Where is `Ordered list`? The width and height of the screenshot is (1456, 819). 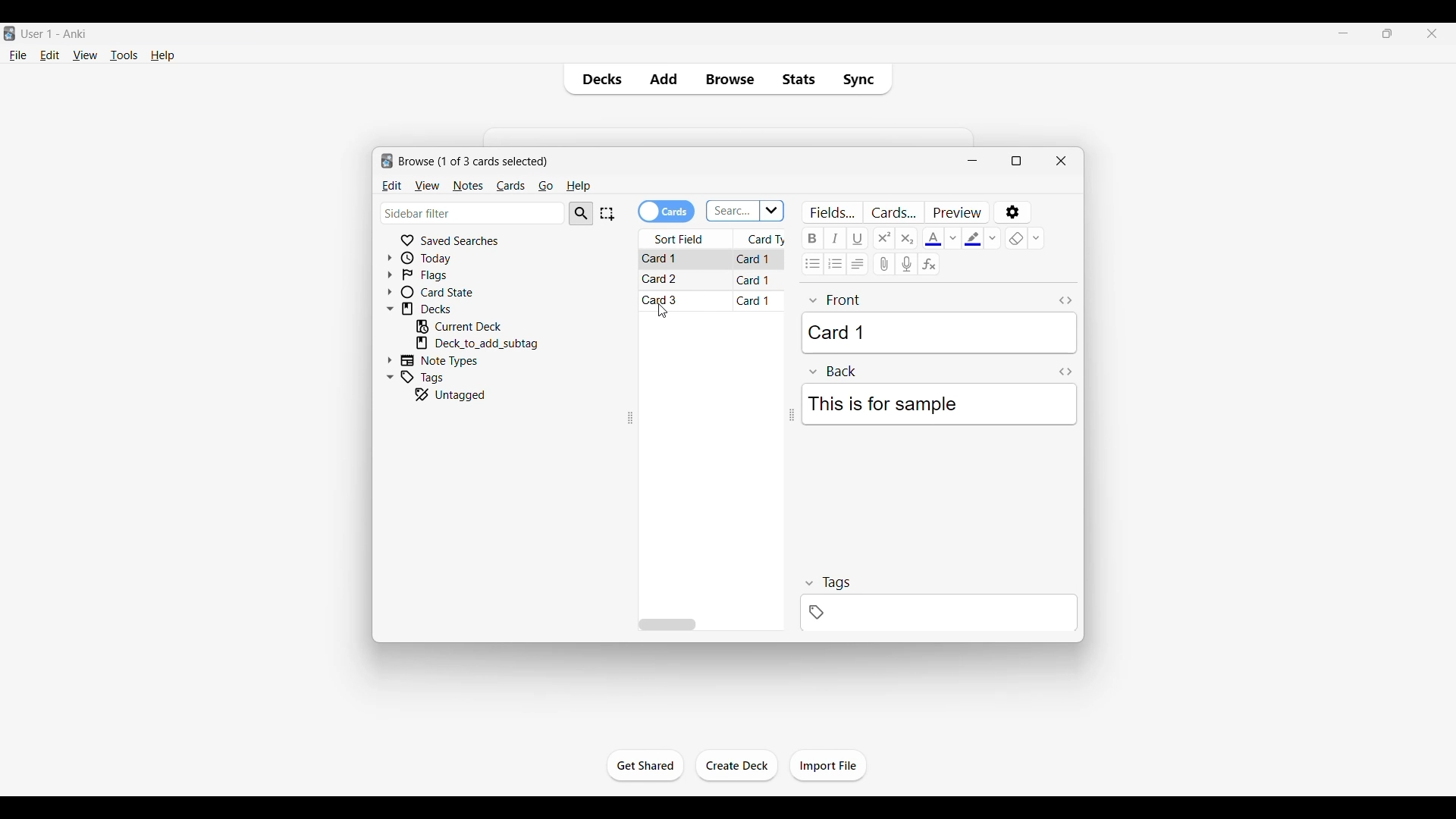
Ordered list is located at coordinates (834, 264).